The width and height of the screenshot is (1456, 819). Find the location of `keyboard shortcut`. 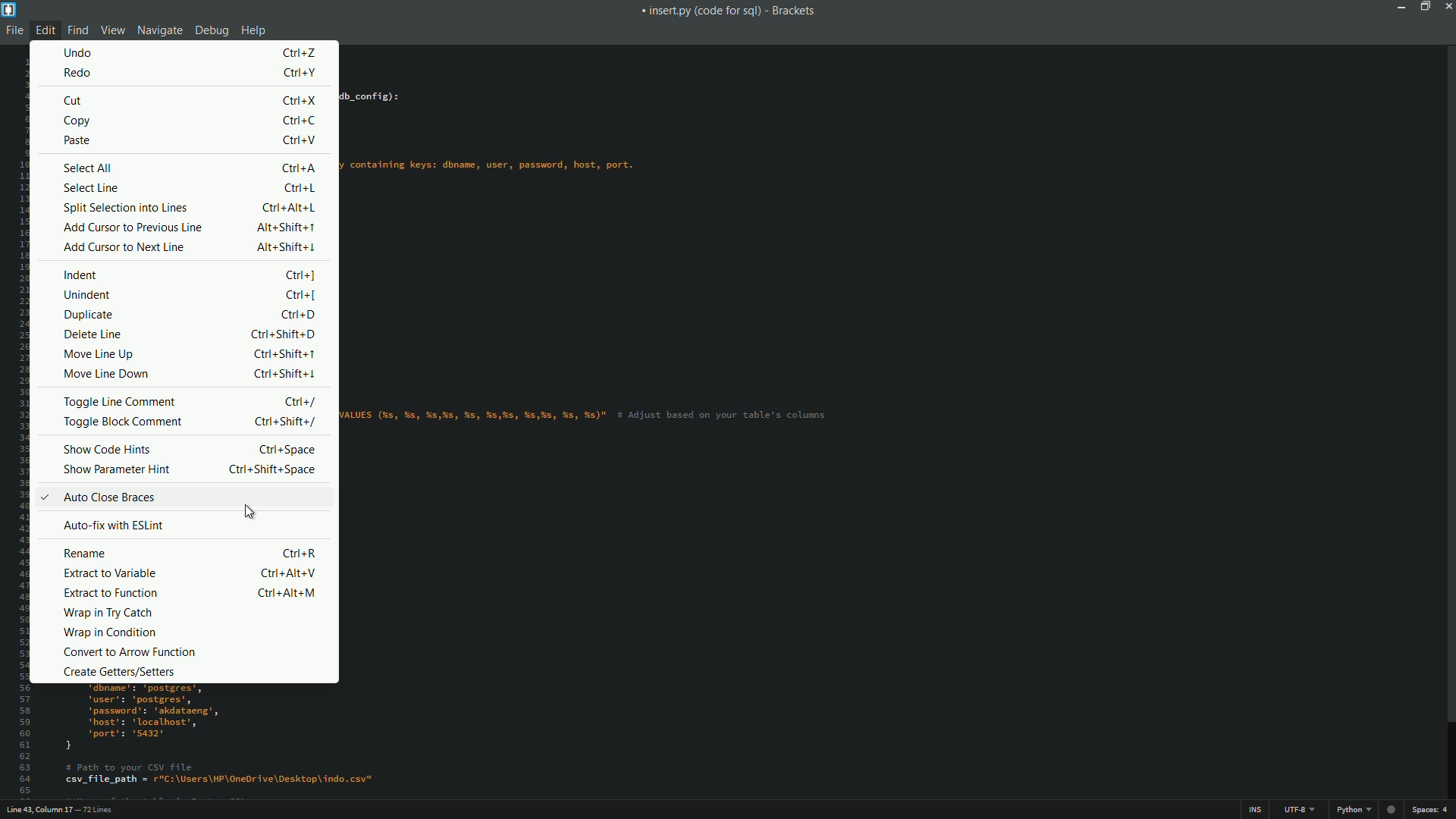

keyboard shortcut is located at coordinates (283, 335).